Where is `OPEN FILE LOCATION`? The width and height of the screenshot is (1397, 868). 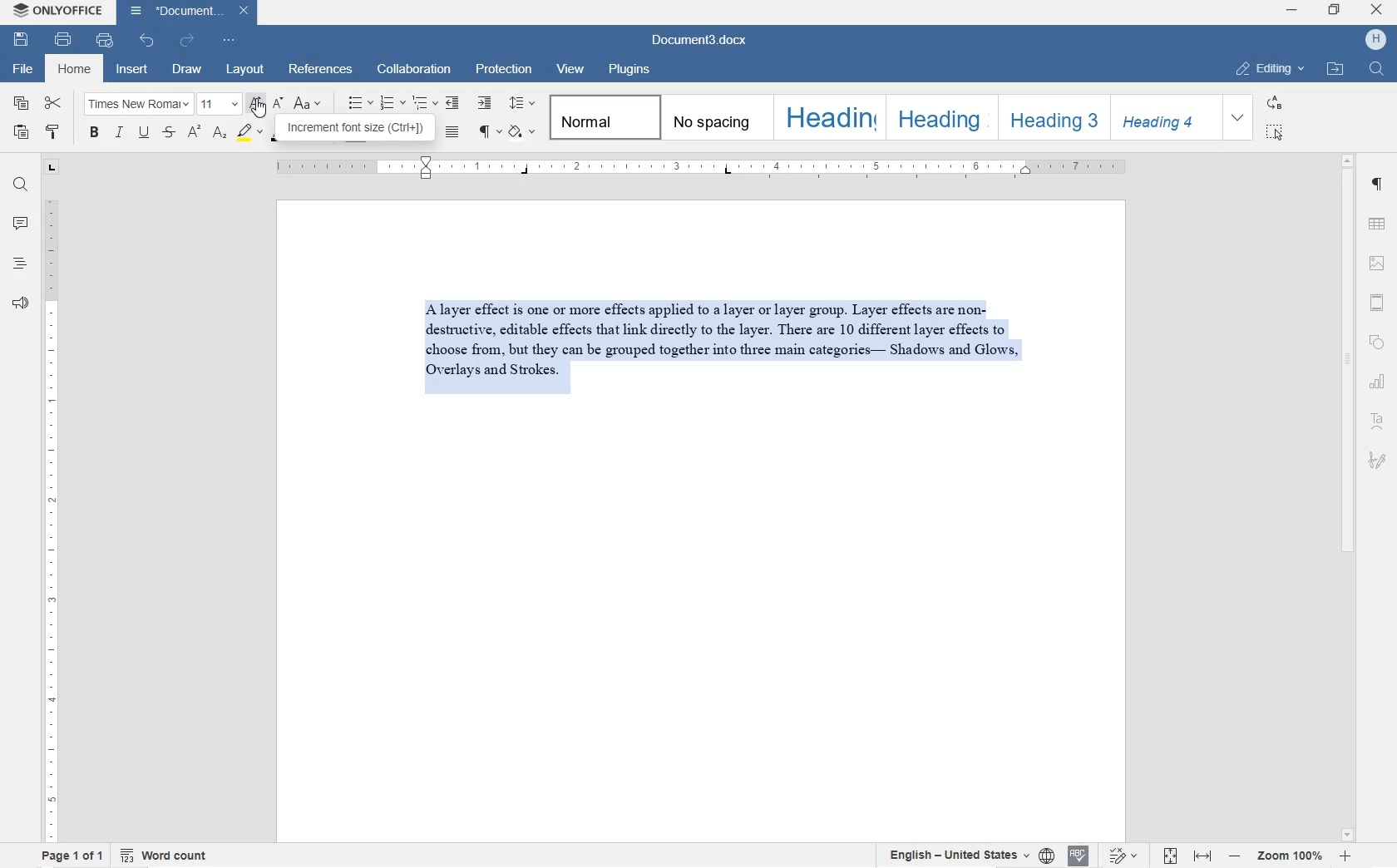 OPEN FILE LOCATION is located at coordinates (1334, 68).